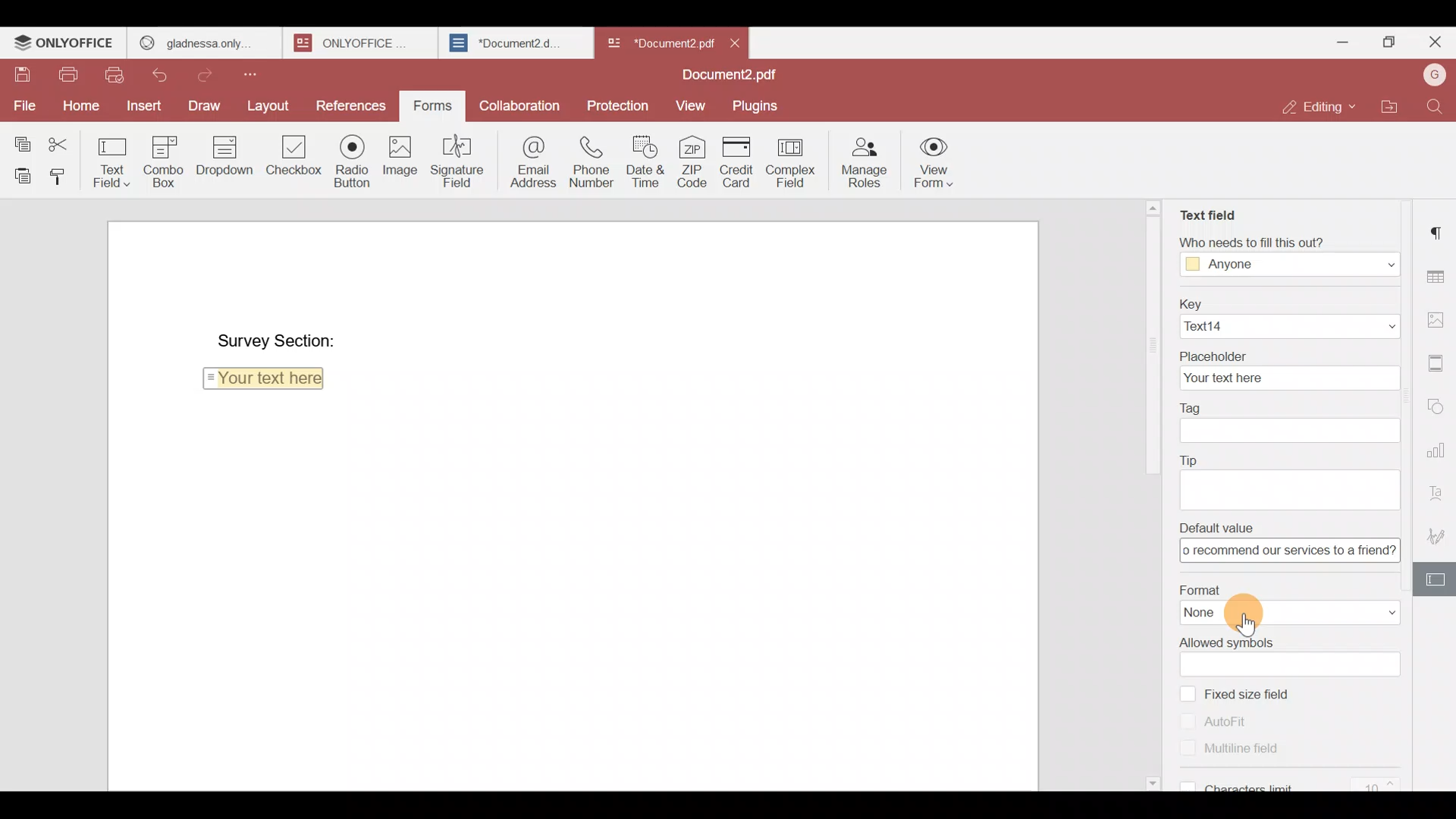 This screenshot has height=819, width=1456. What do you see at coordinates (24, 105) in the screenshot?
I see `File` at bounding box center [24, 105].